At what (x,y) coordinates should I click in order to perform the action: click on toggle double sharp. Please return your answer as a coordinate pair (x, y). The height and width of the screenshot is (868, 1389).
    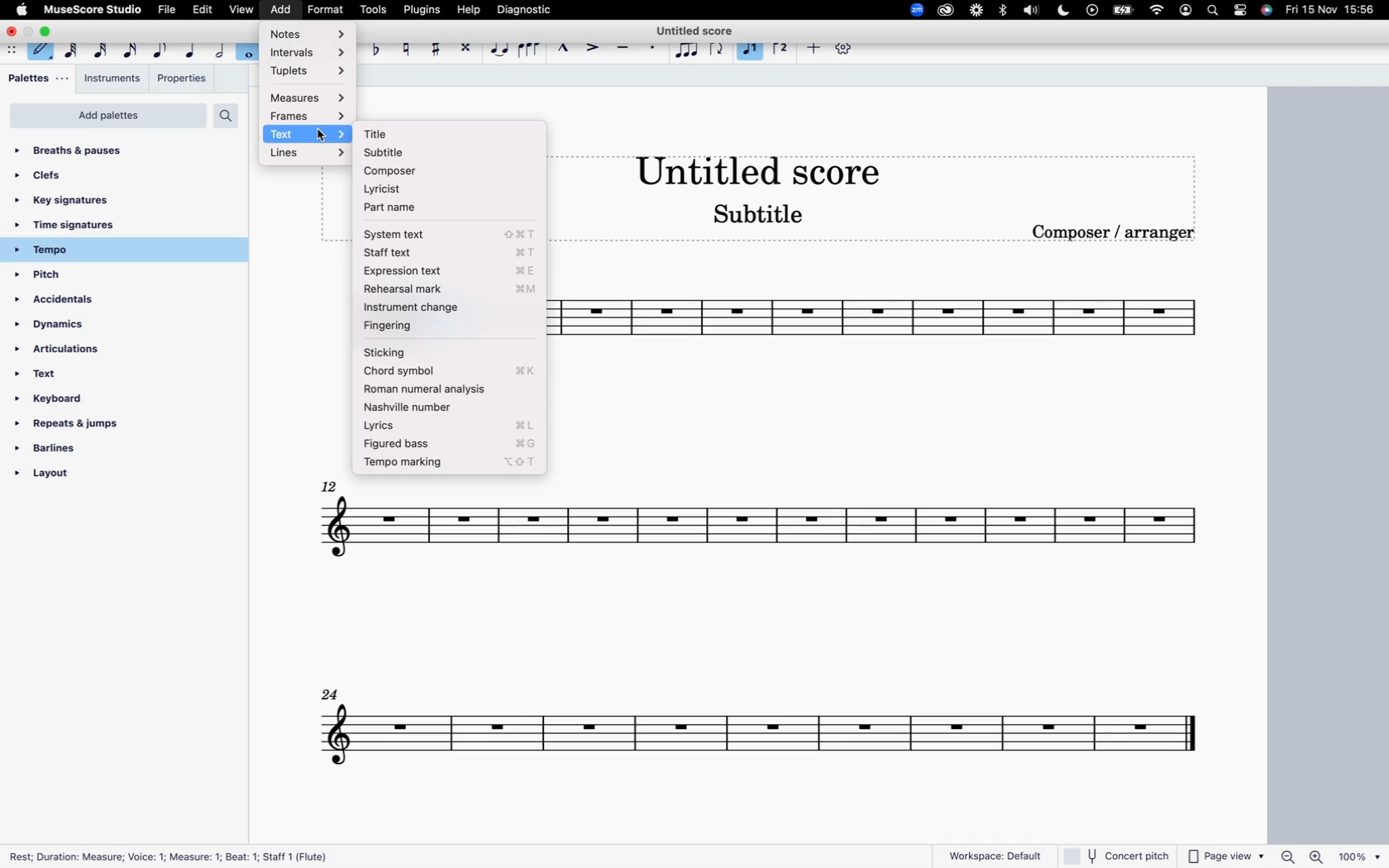
    Looking at the image, I should click on (465, 48).